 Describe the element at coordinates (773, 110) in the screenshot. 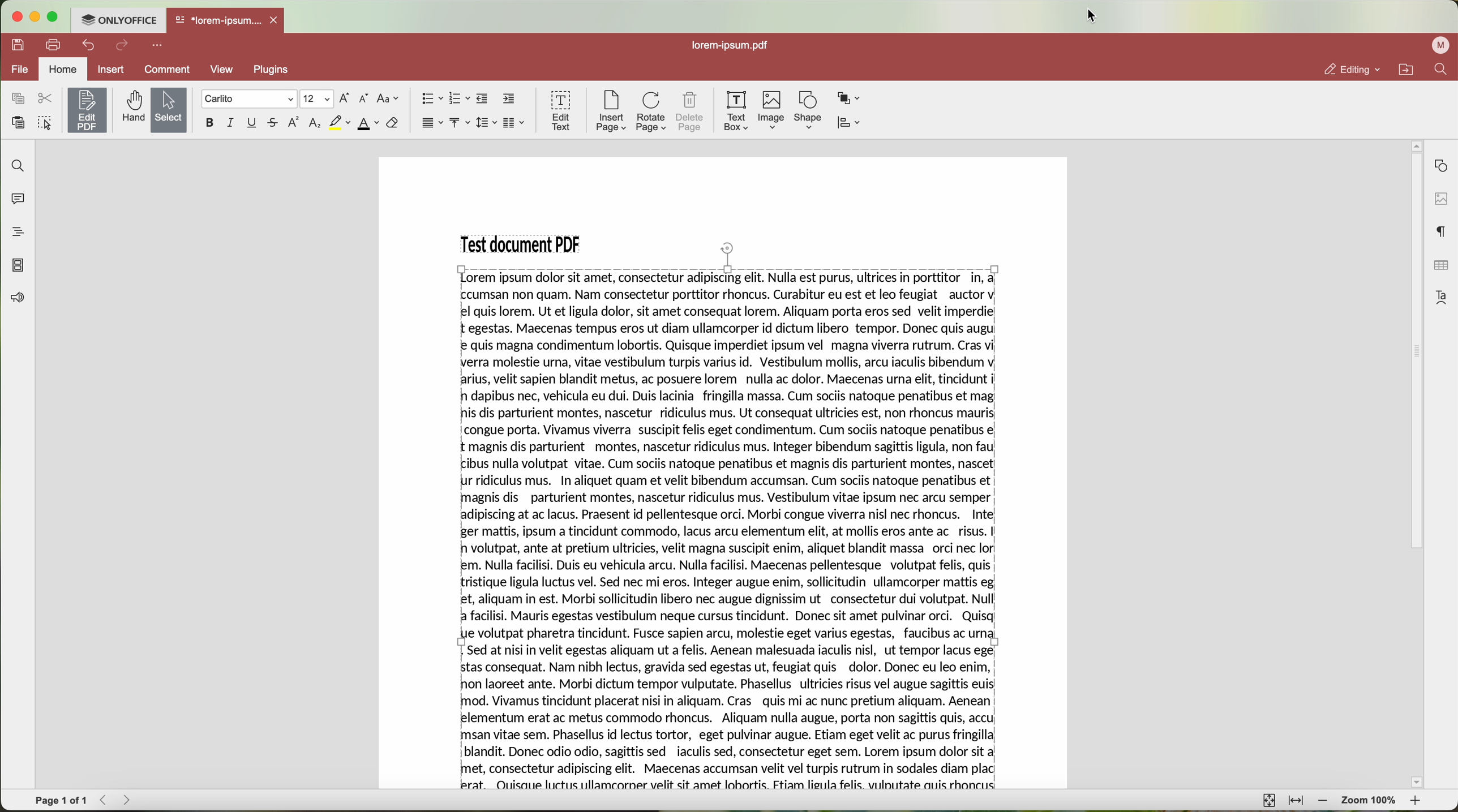

I see `image` at that location.